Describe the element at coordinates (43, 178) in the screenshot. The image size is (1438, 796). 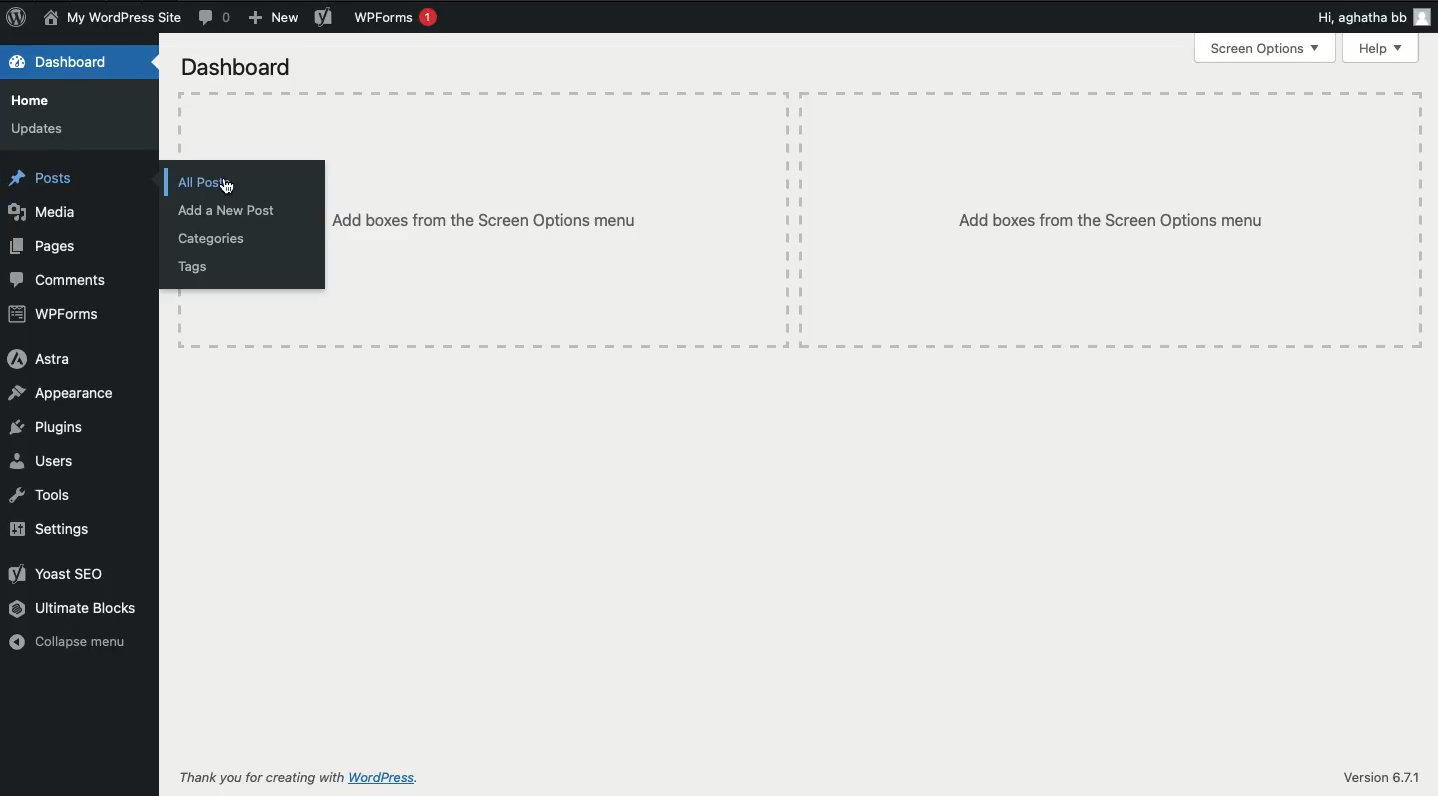
I see `Posts` at that location.